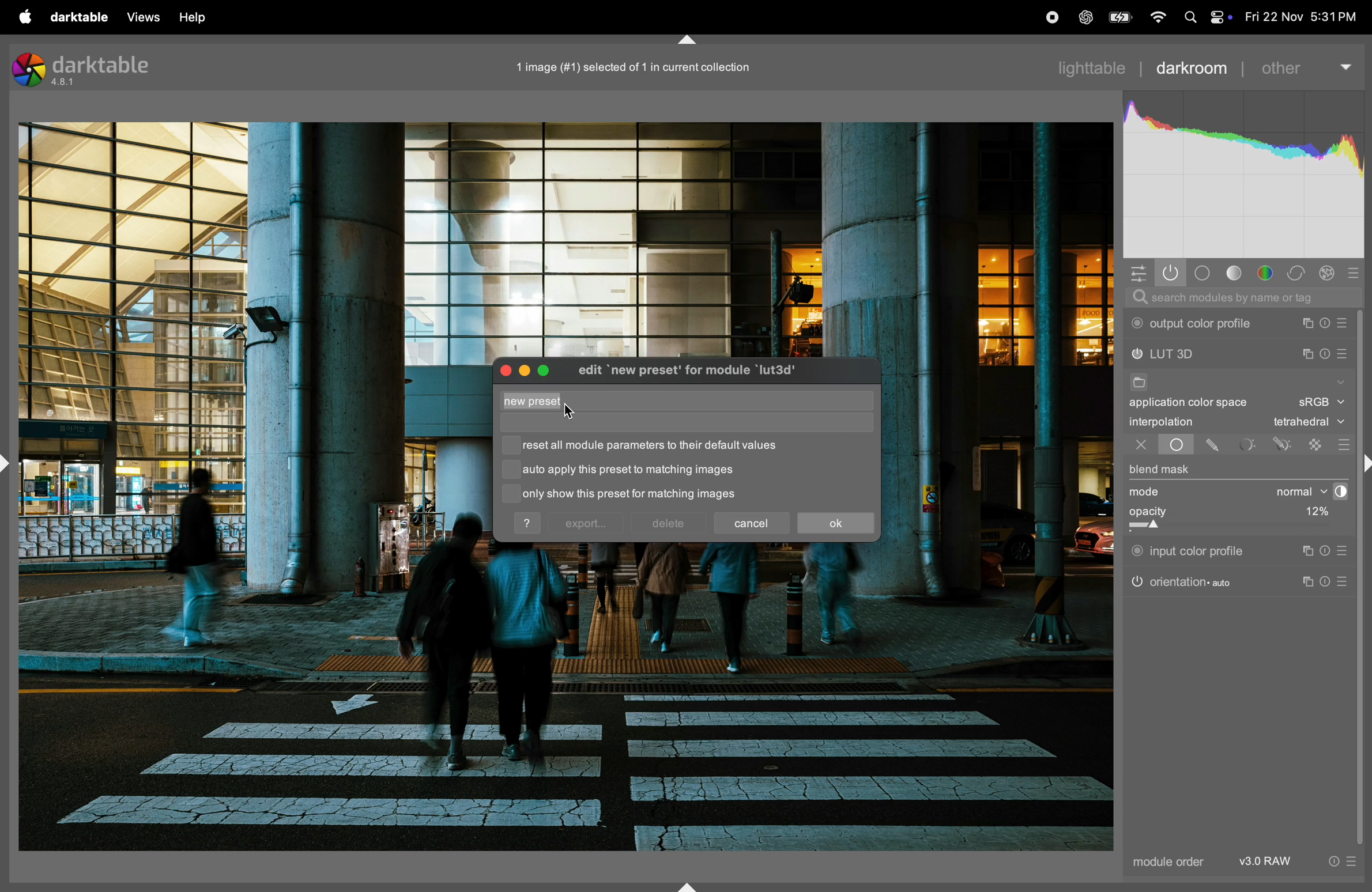  I want to click on check box, so click(511, 445).